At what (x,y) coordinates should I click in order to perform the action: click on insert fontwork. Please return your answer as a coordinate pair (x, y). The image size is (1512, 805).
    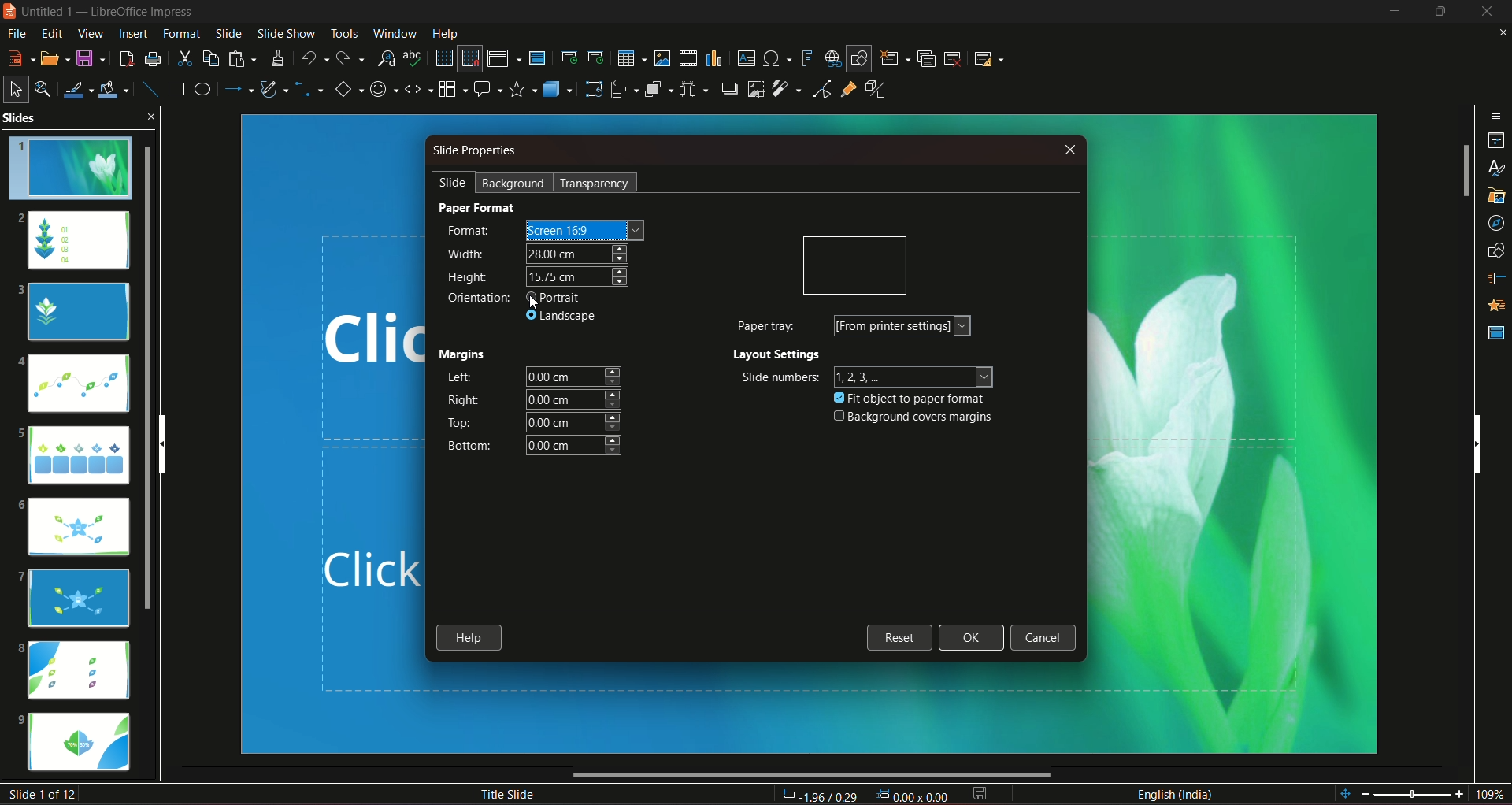
    Looking at the image, I should click on (807, 58).